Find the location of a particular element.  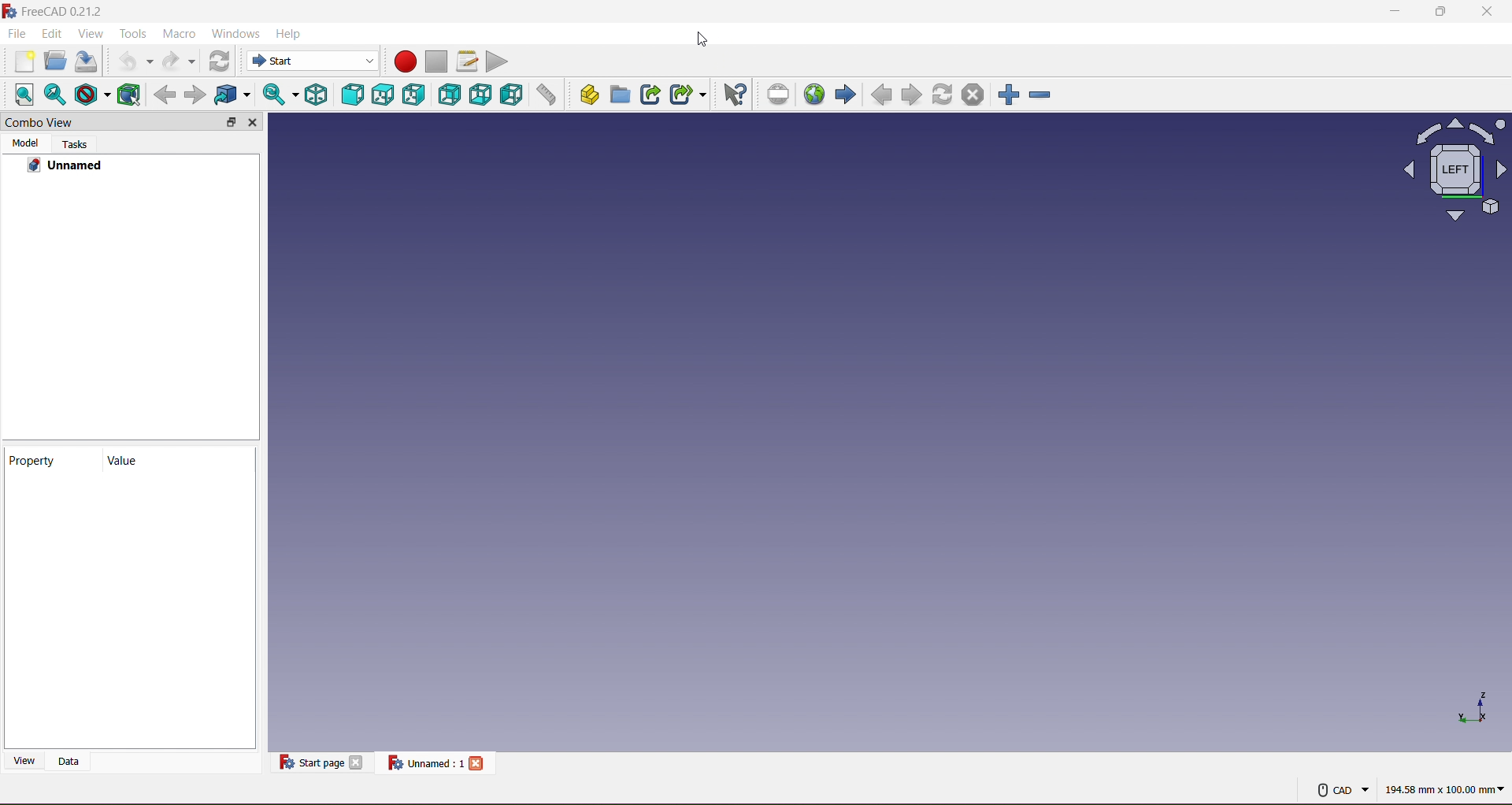

Record Macro (Red Circle) is located at coordinates (405, 61).